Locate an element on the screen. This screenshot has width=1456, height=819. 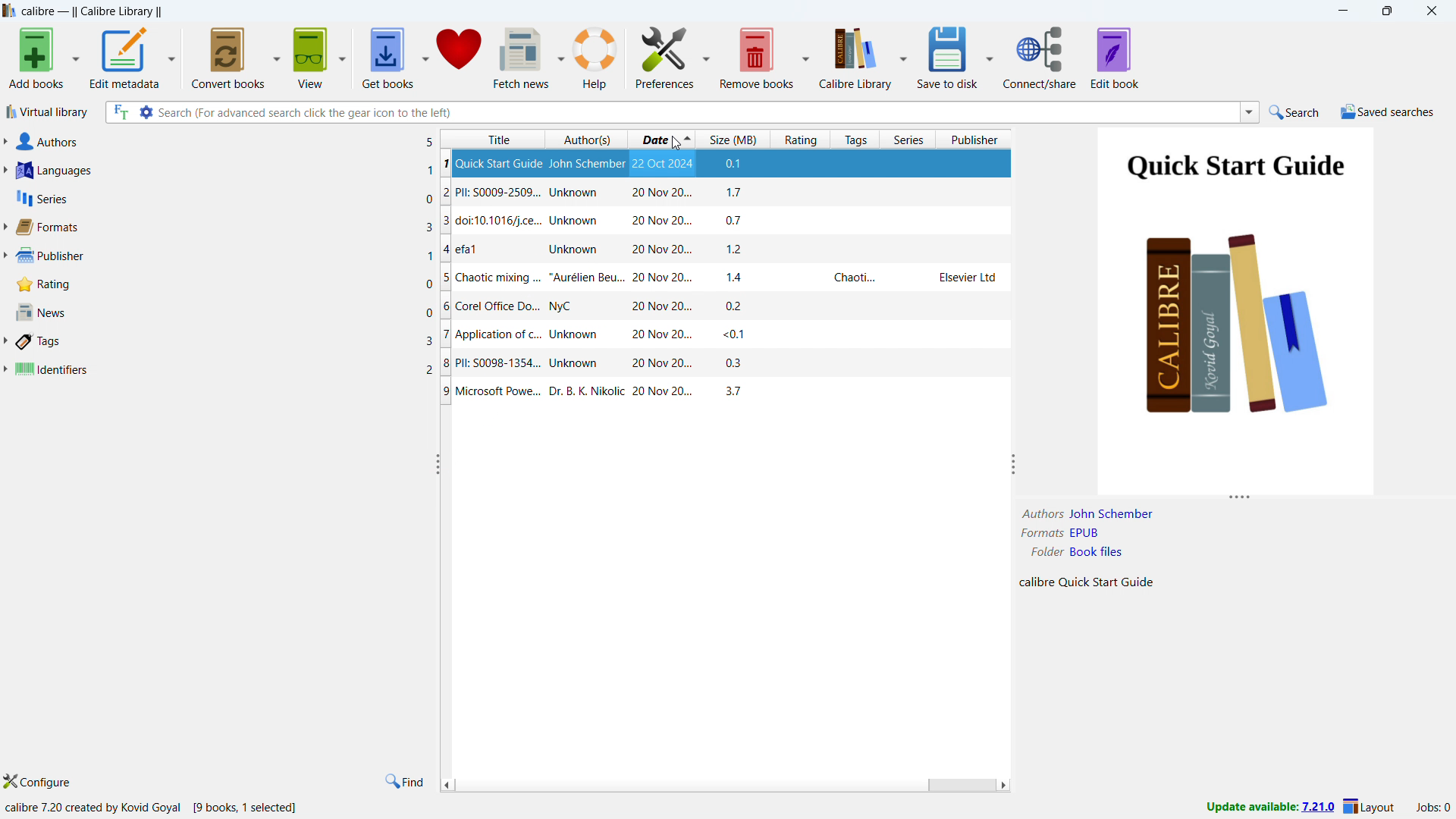
Application of c... is located at coordinates (491, 163).